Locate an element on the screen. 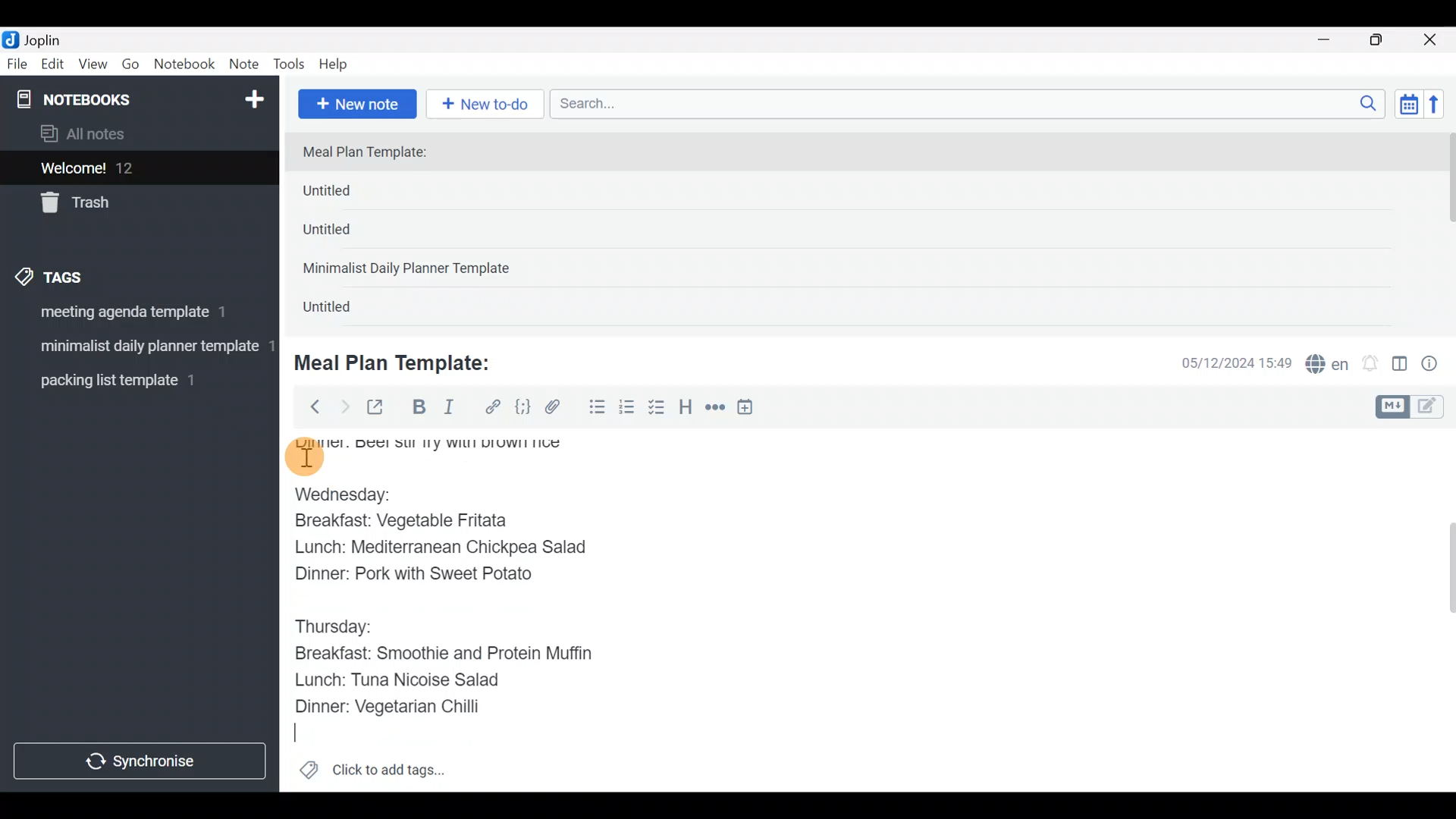  Breakfast: Vegetable Fritata is located at coordinates (415, 519).